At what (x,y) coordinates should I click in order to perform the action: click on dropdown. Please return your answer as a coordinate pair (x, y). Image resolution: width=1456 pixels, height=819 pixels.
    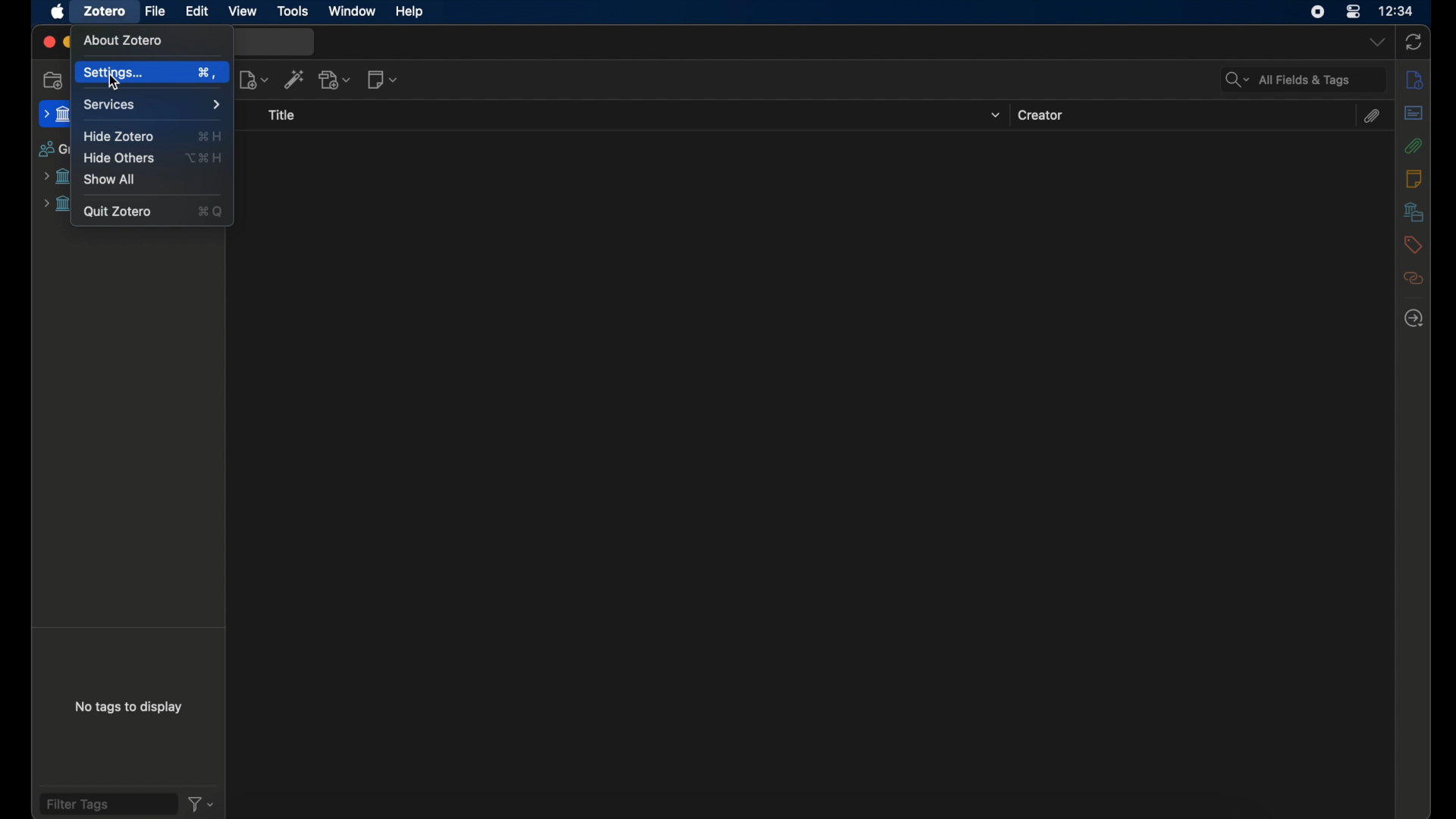
    Looking at the image, I should click on (994, 116).